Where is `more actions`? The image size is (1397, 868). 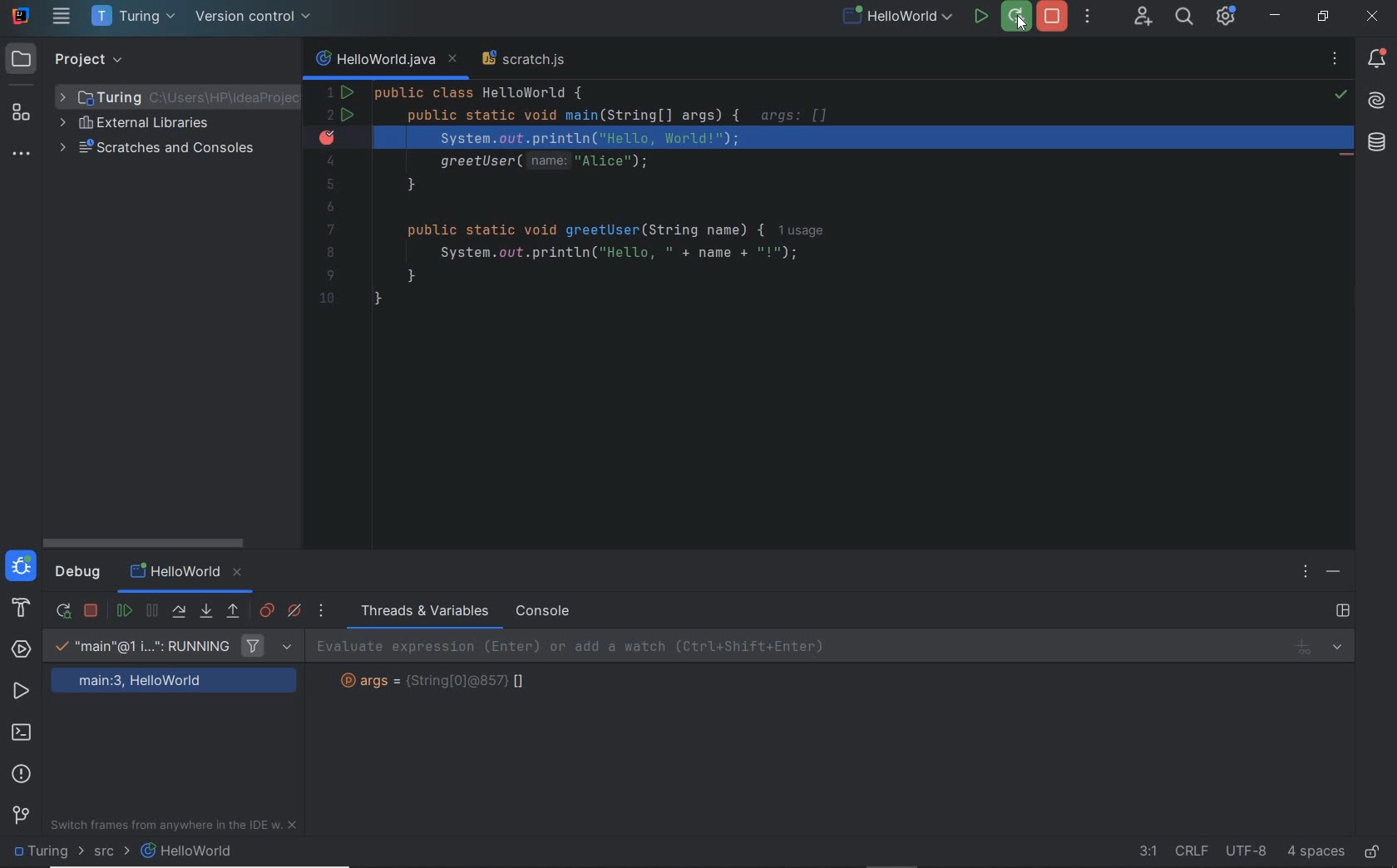
more actions is located at coordinates (1093, 17).